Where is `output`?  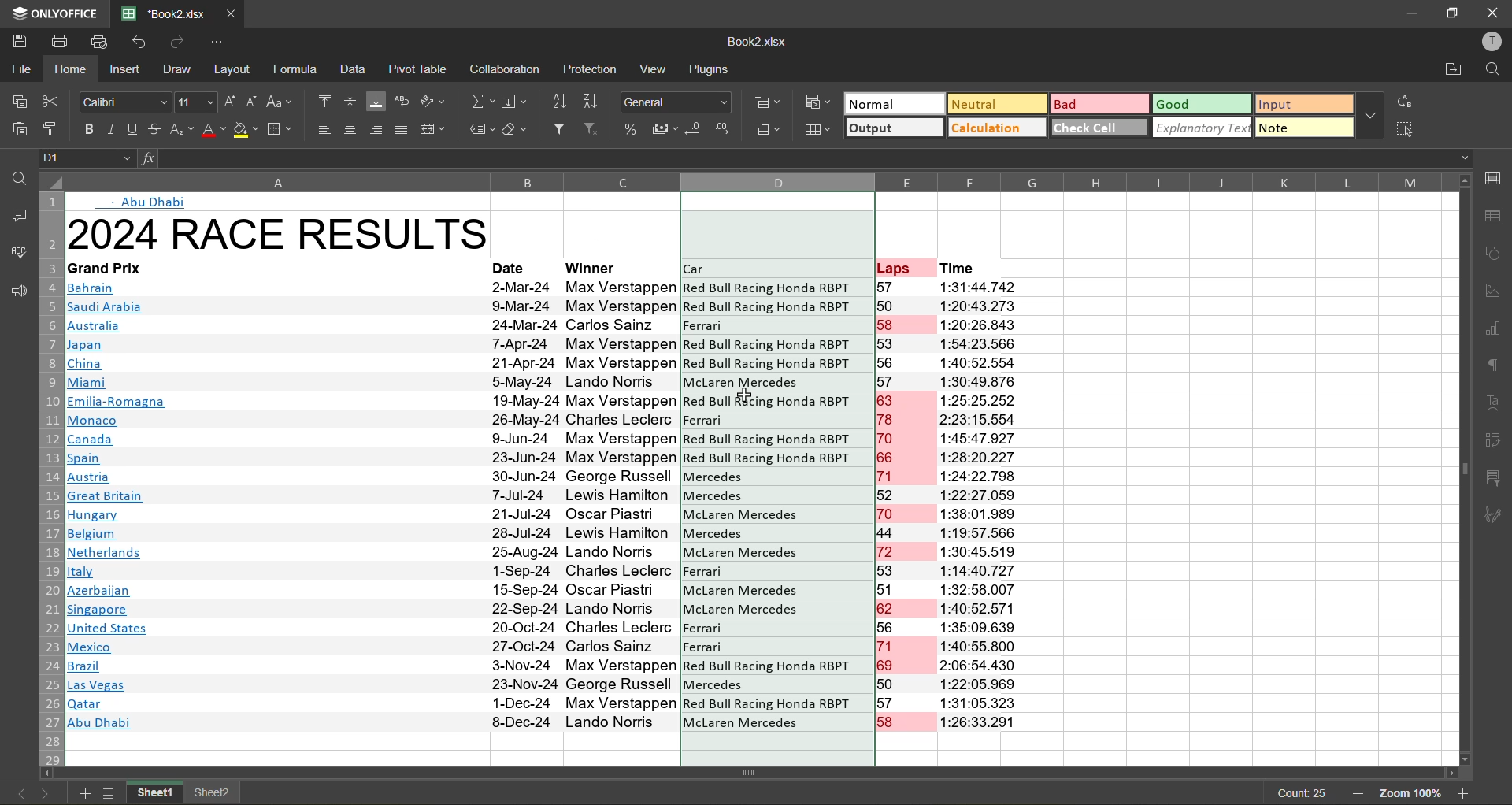 output is located at coordinates (893, 128).